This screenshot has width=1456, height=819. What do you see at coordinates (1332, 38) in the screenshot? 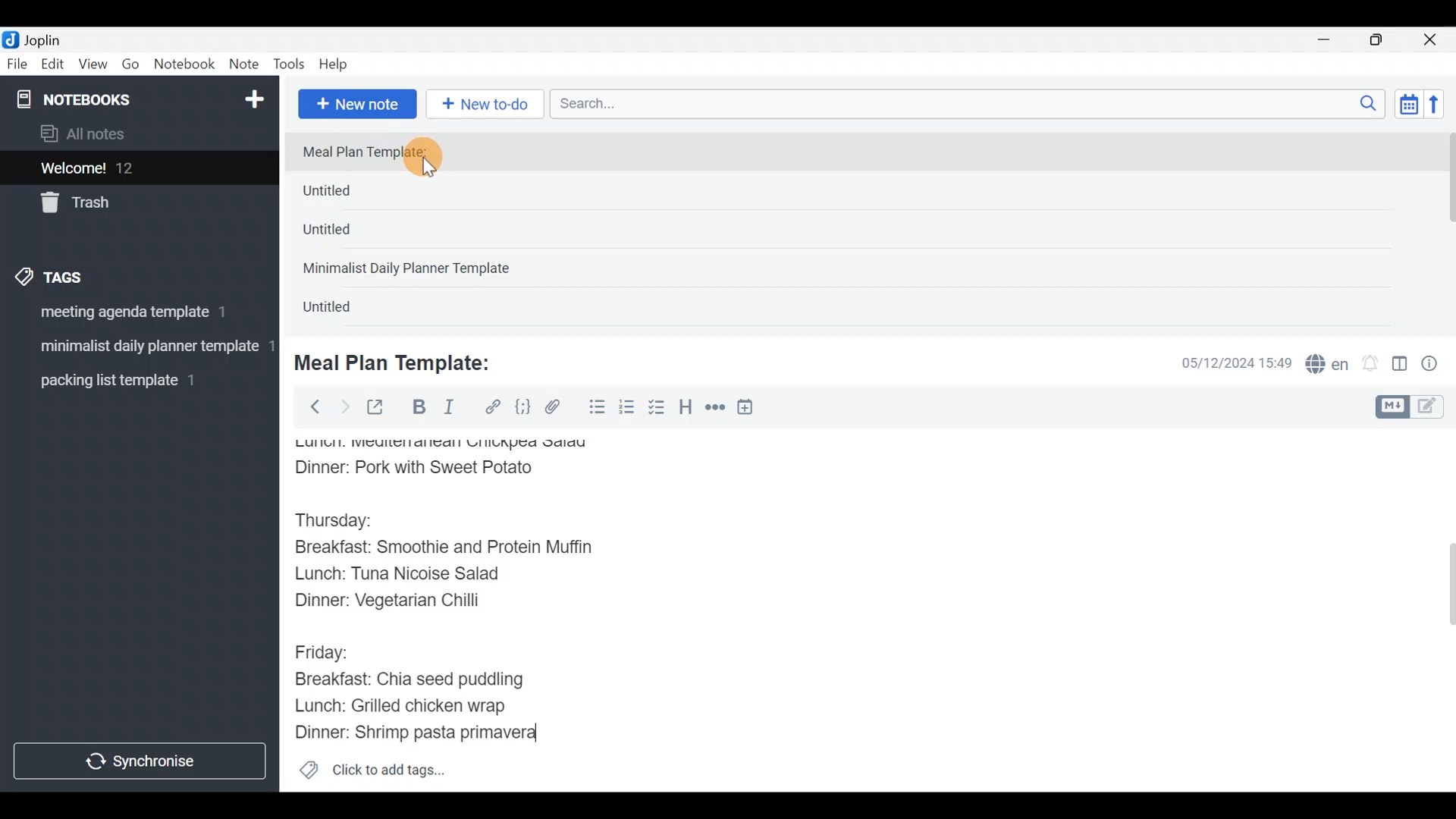
I see `Minimize` at bounding box center [1332, 38].